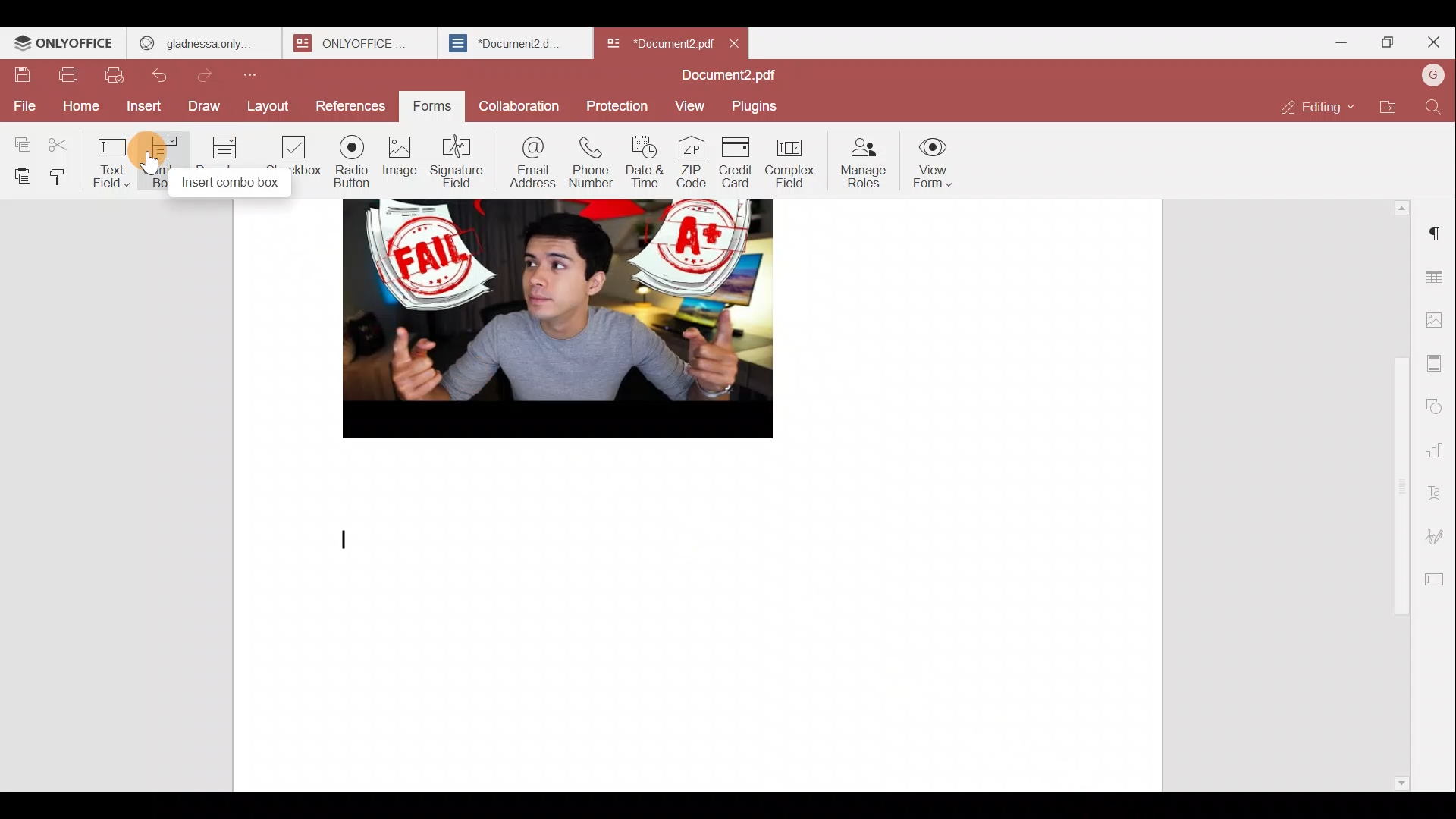 This screenshot has width=1456, height=819. What do you see at coordinates (227, 145) in the screenshot?
I see `Dropdown` at bounding box center [227, 145].